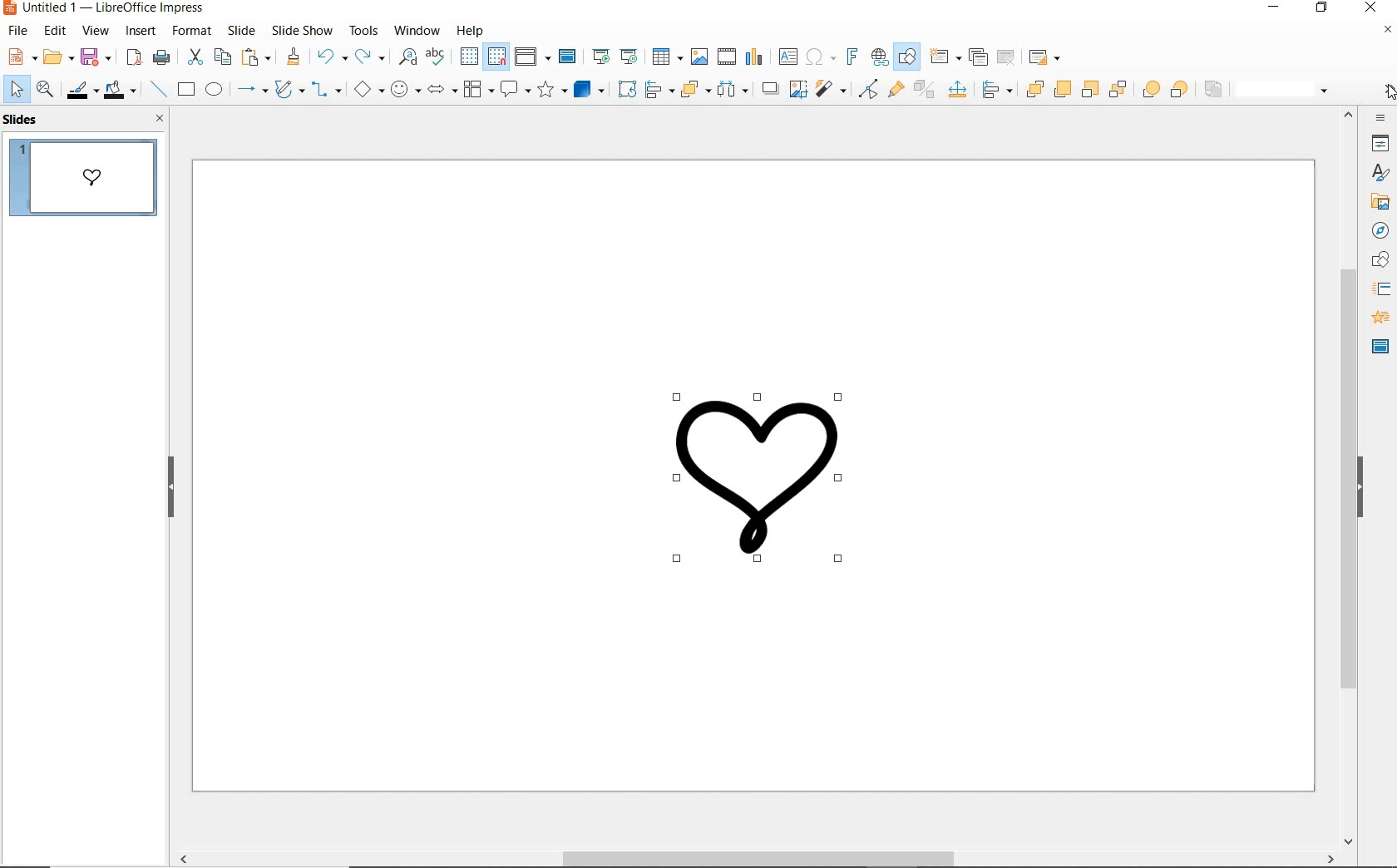 The height and width of the screenshot is (868, 1397). I want to click on start from first slide, so click(600, 57).